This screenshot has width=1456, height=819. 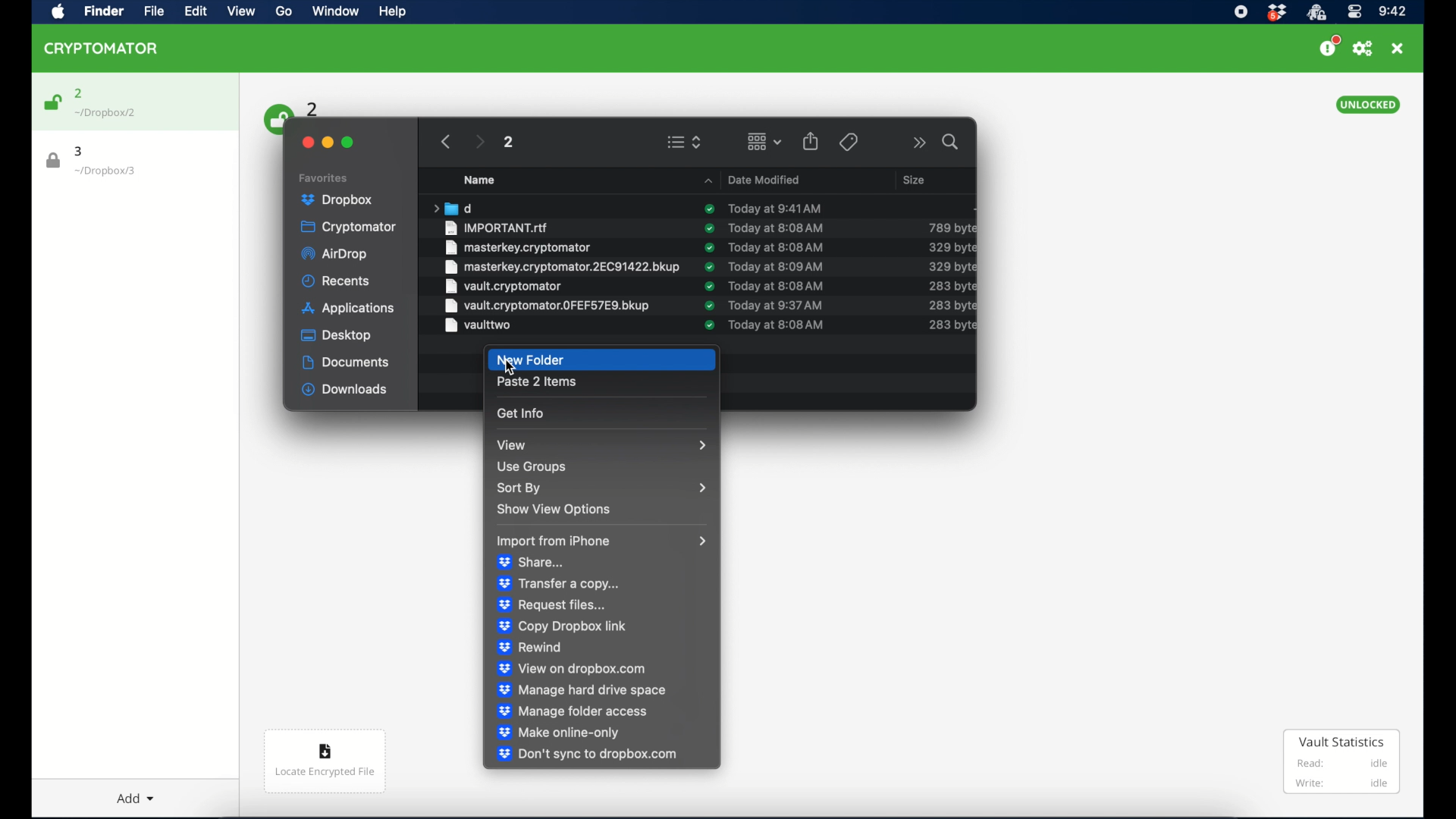 I want to click on new folder, so click(x=601, y=359).